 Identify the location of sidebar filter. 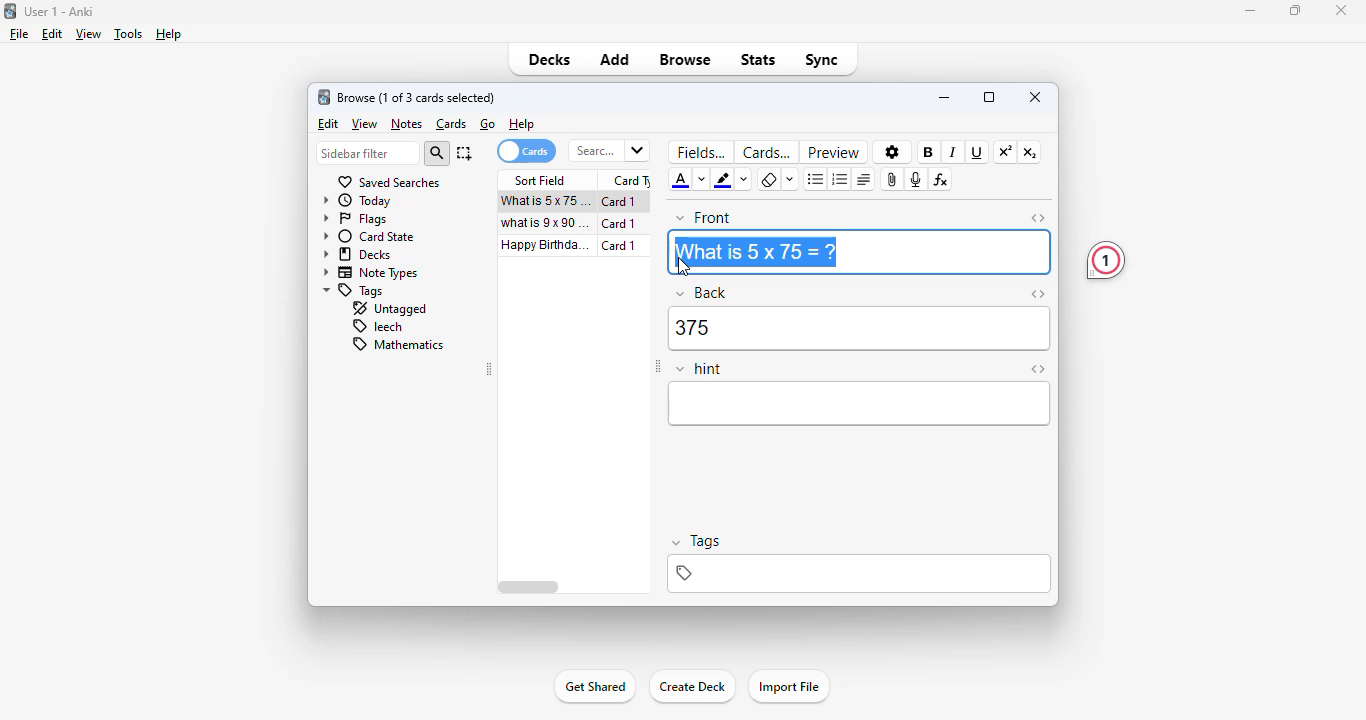
(366, 153).